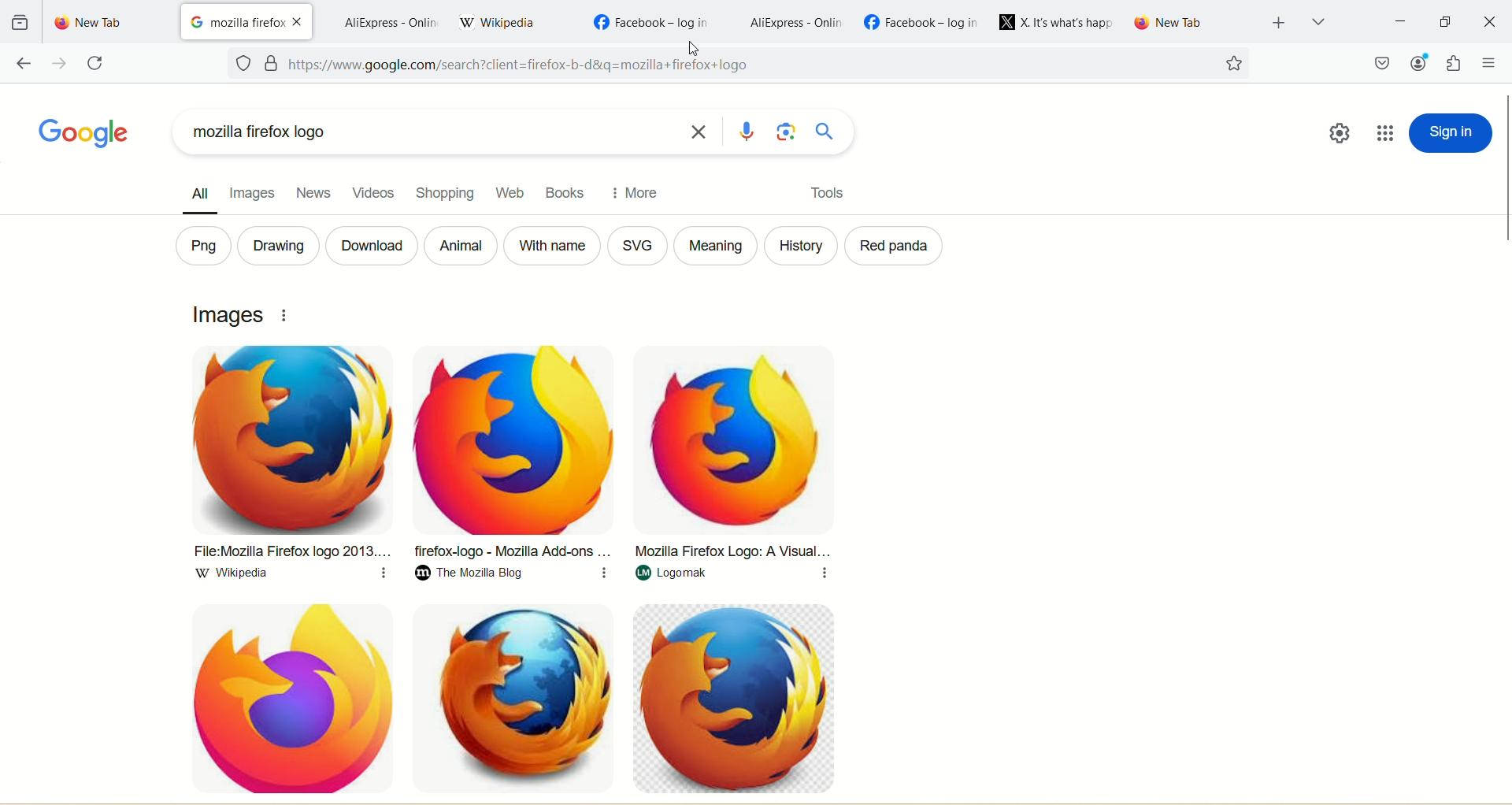 The height and width of the screenshot is (805, 1512). I want to click on maximize, so click(1447, 19).